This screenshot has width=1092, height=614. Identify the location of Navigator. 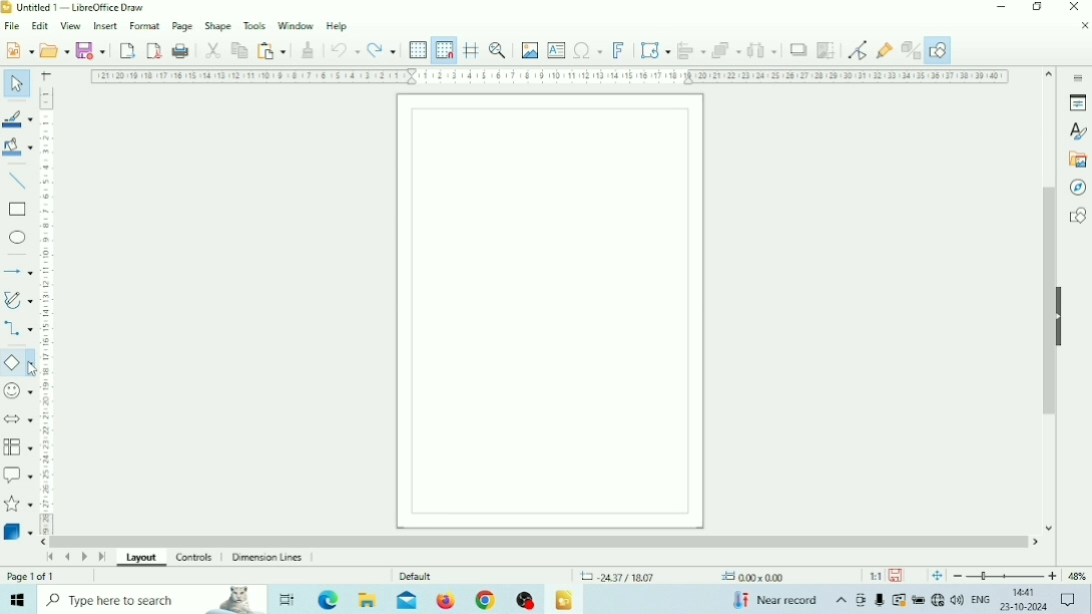
(1076, 188).